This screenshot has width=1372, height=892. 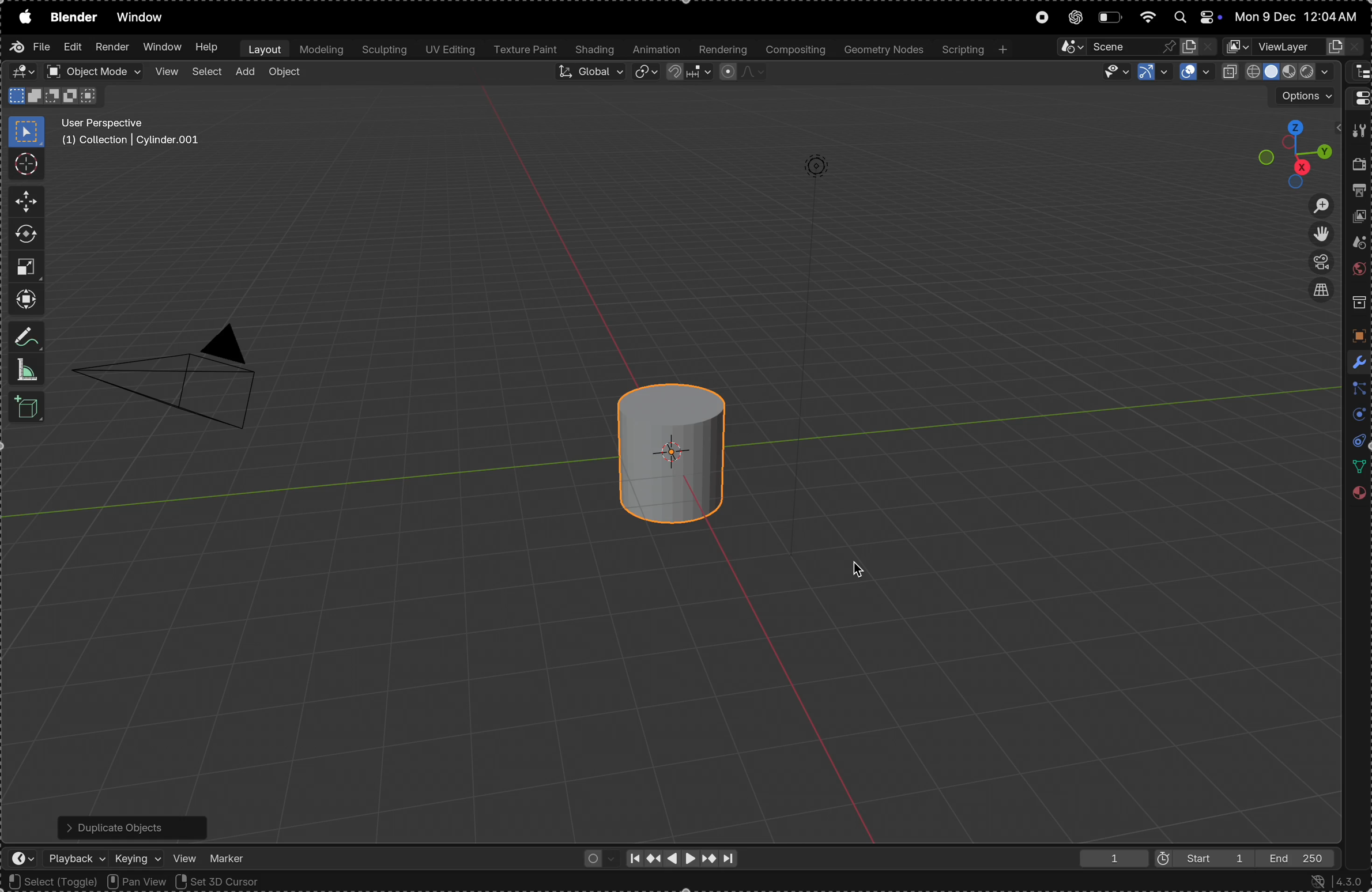 I want to click on show gimzo, so click(x=1151, y=73).